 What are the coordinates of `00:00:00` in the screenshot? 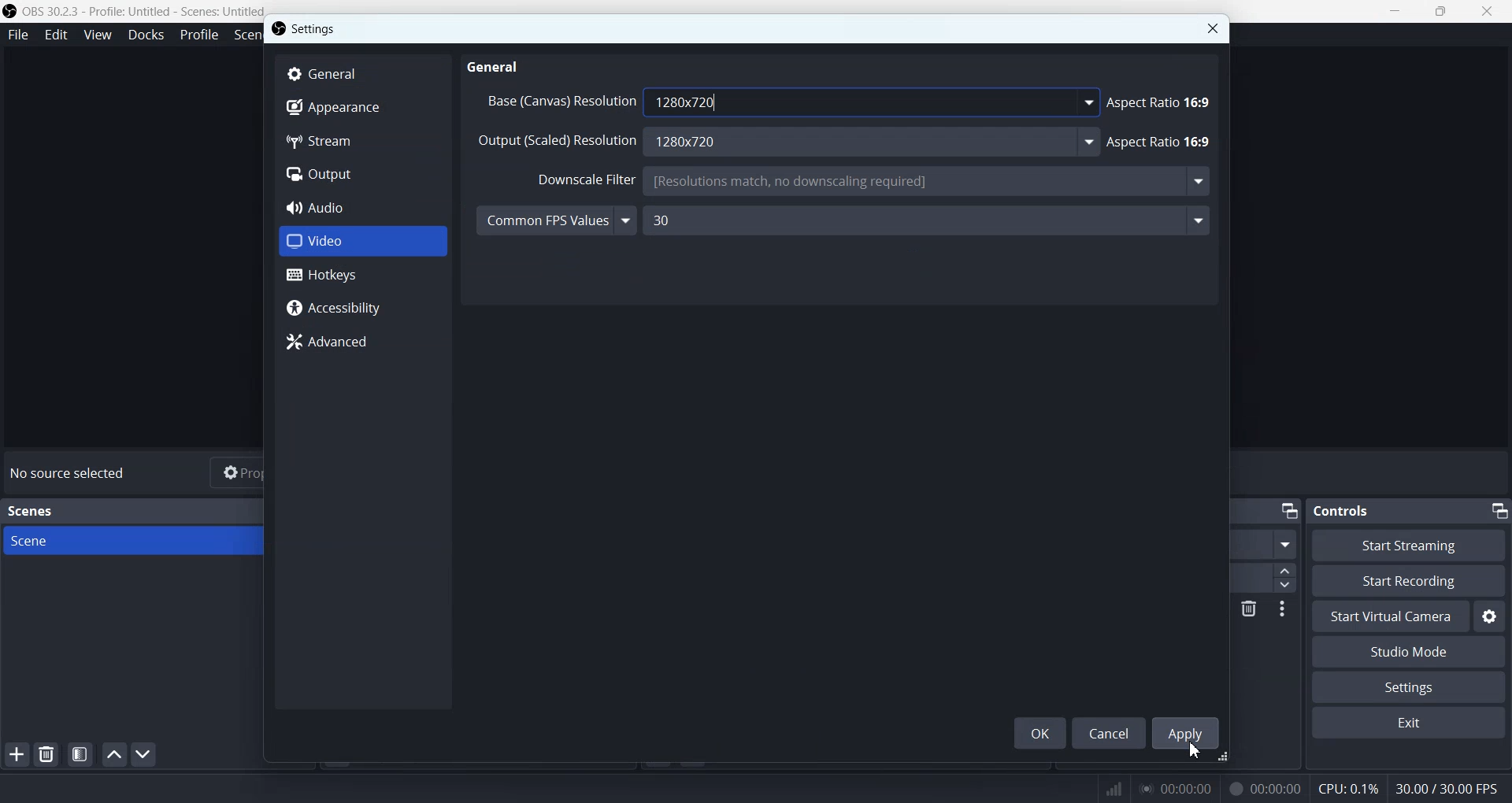 It's located at (1261, 788).